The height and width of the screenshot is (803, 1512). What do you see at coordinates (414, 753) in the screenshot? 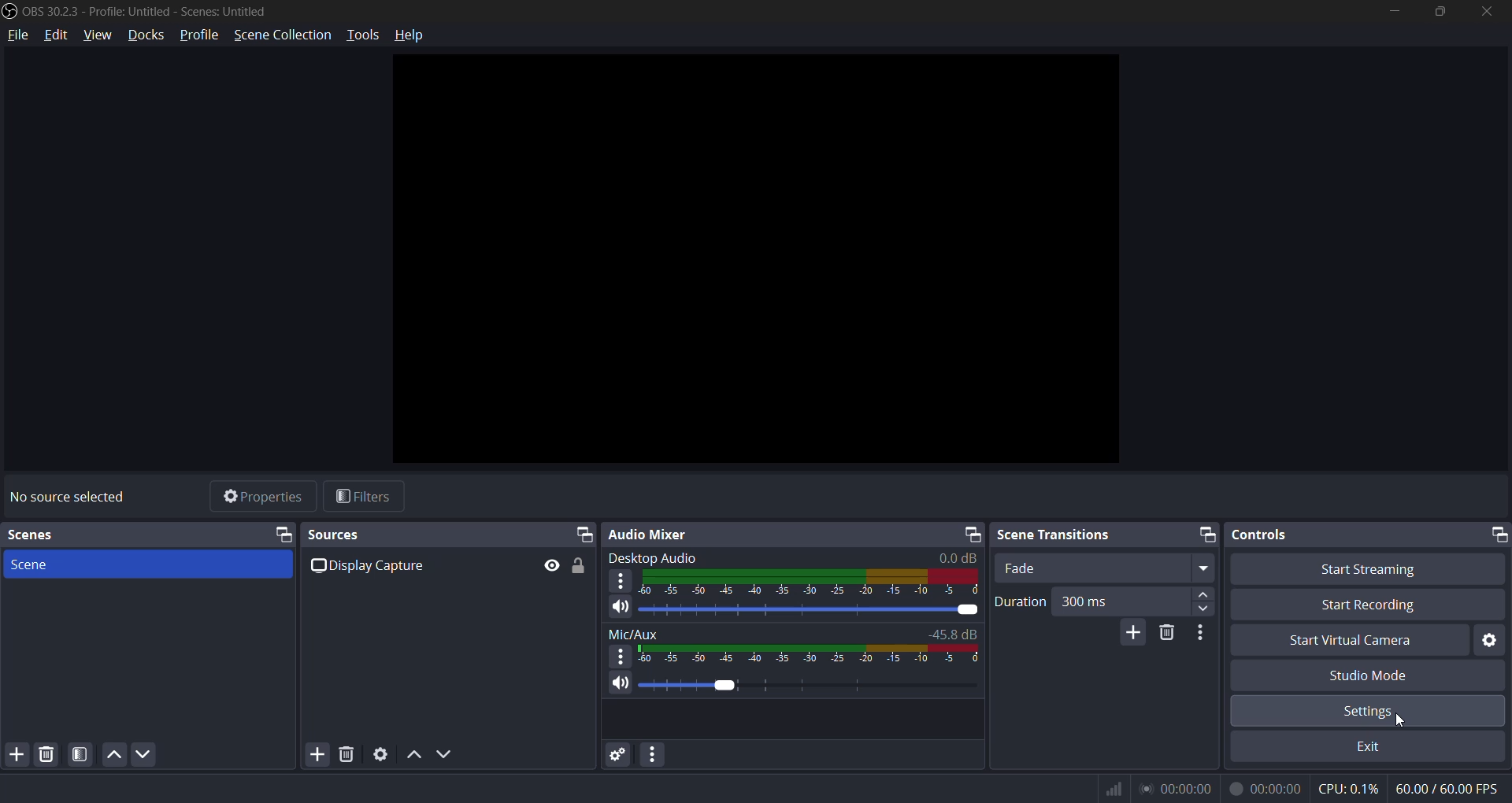
I see `move up` at bounding box center [414, 753].